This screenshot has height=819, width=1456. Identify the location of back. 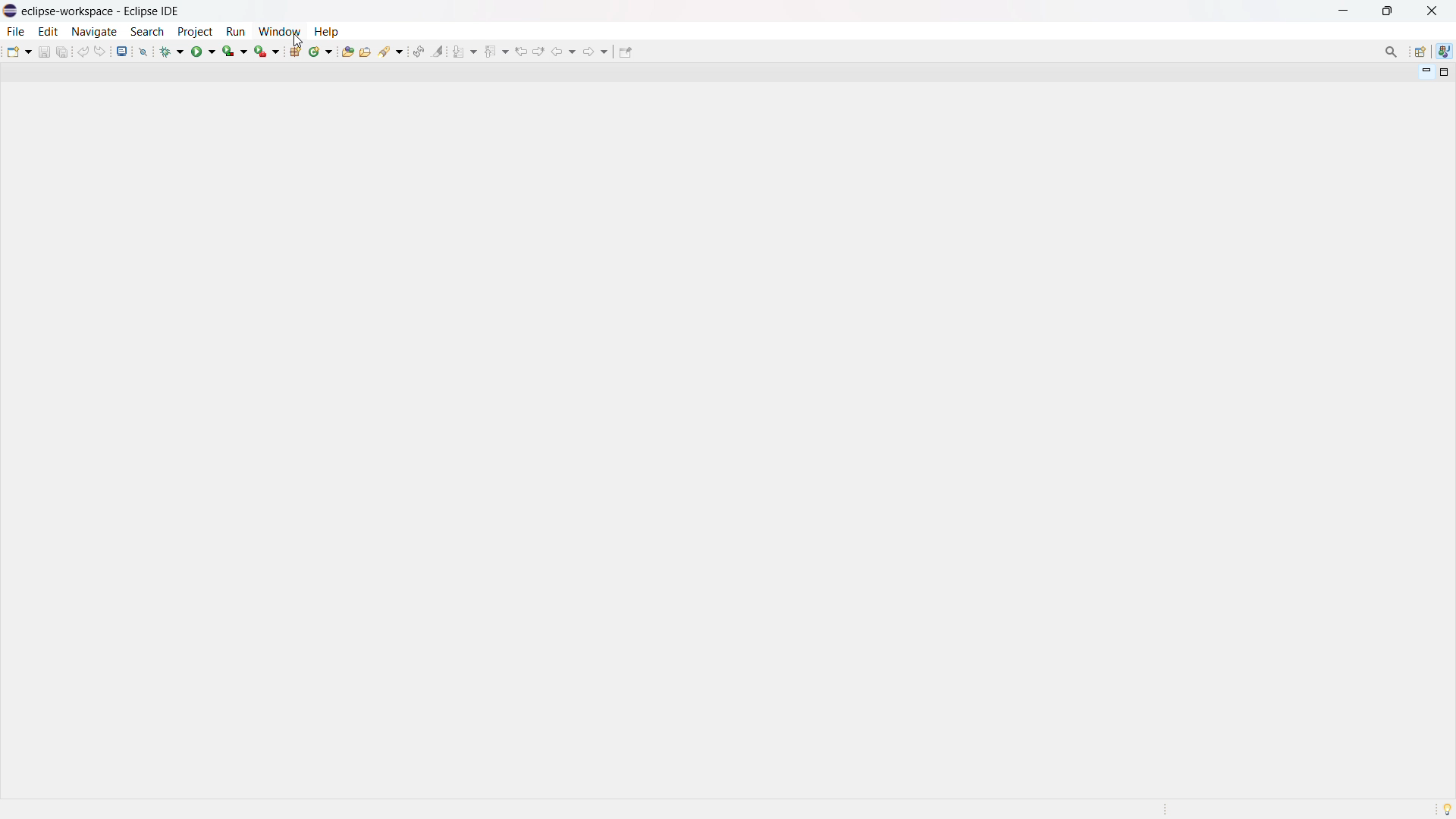
(563, 52).